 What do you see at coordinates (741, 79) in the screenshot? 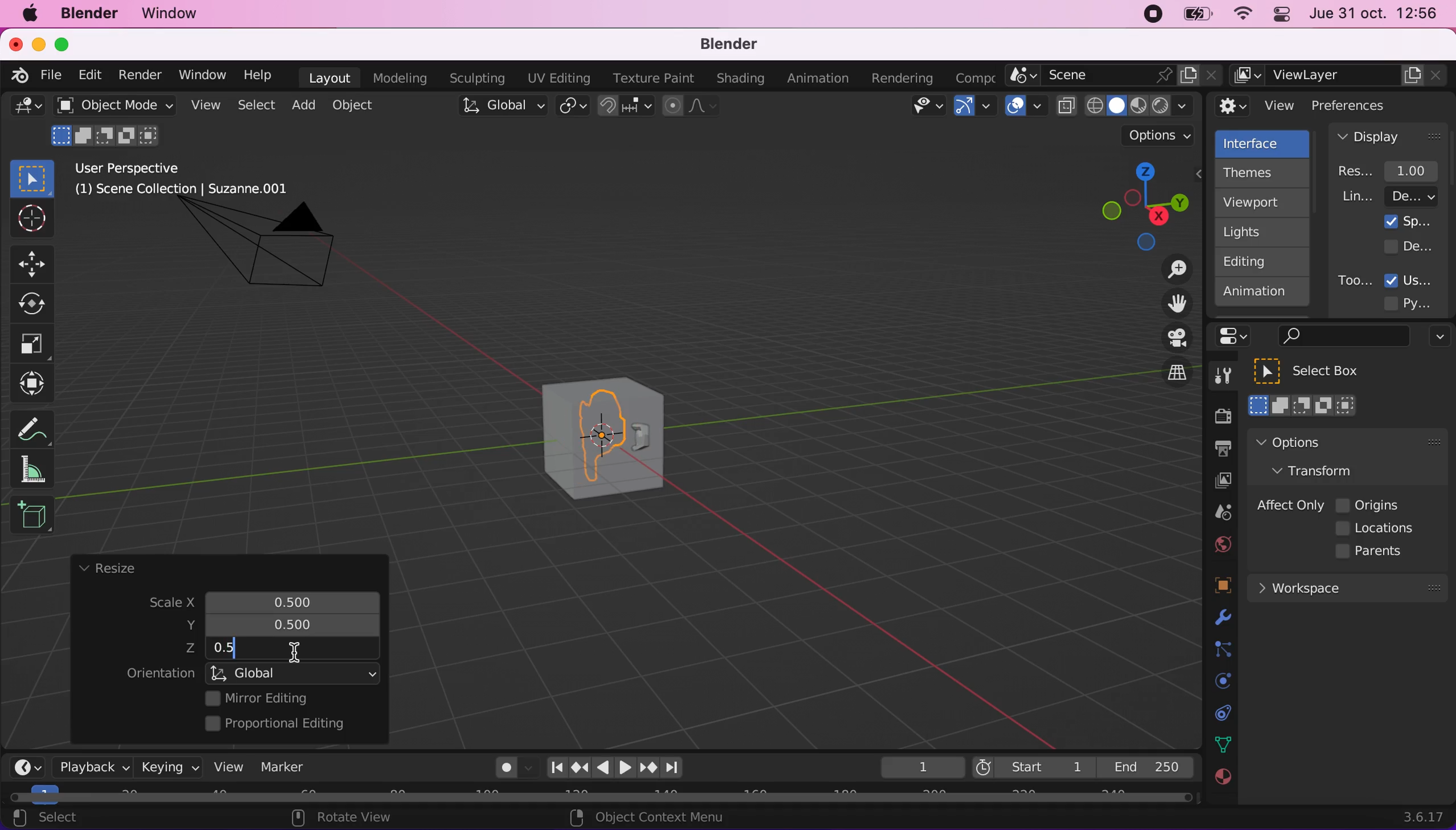
I see `shading` at bounding box center [741, 79].